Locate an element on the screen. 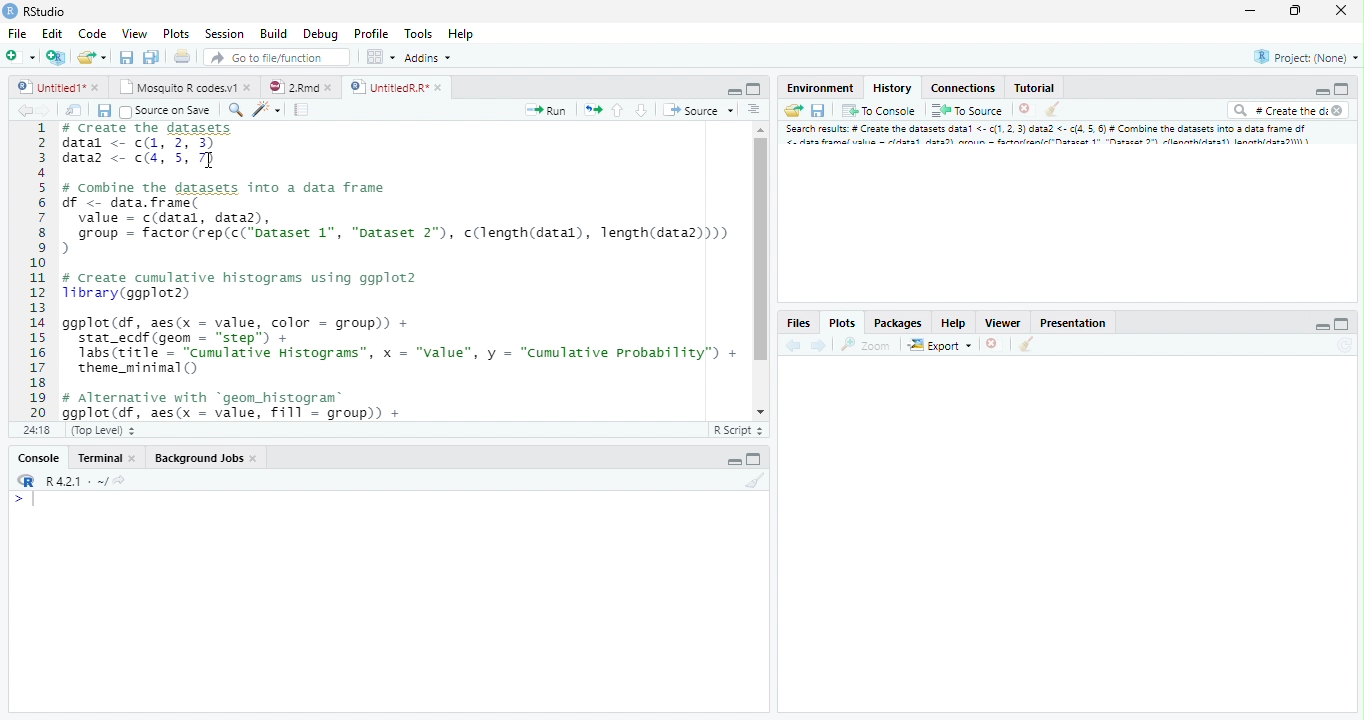 This screenshot has height=720, width=1364. UntitledR.R is located at coordinates (396, 86).